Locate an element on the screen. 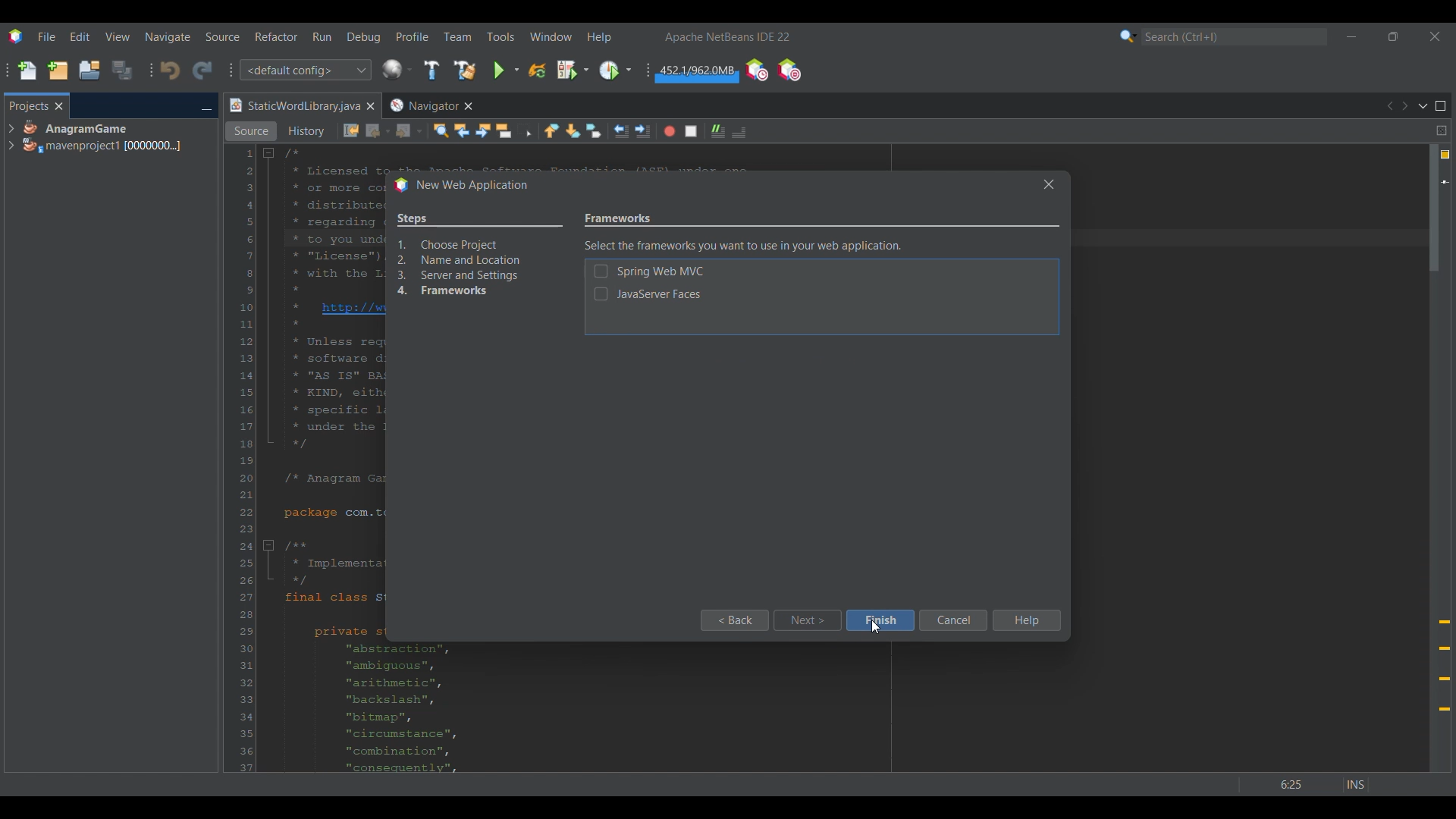  Show documents list is located at coordinates (1423, 105).